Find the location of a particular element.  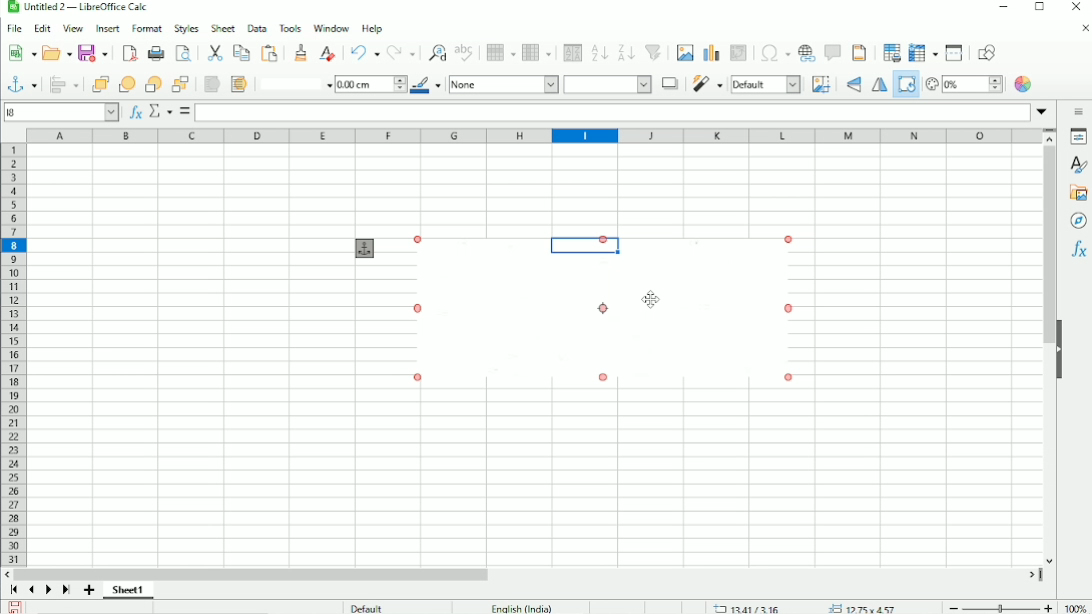

Export as PDF is located at coordinates (129, 53).